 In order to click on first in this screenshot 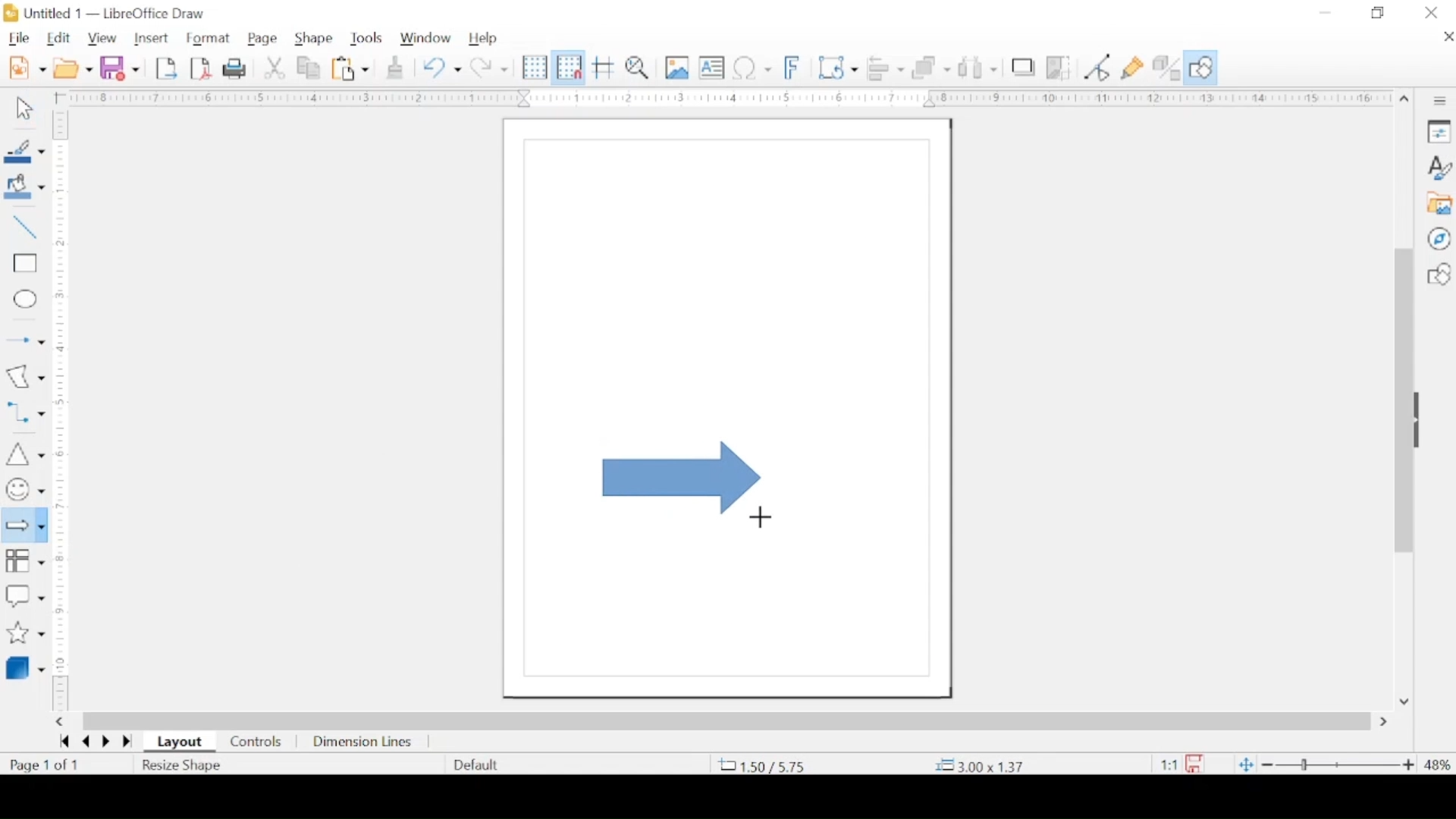, I will do `click(64, 742)`.